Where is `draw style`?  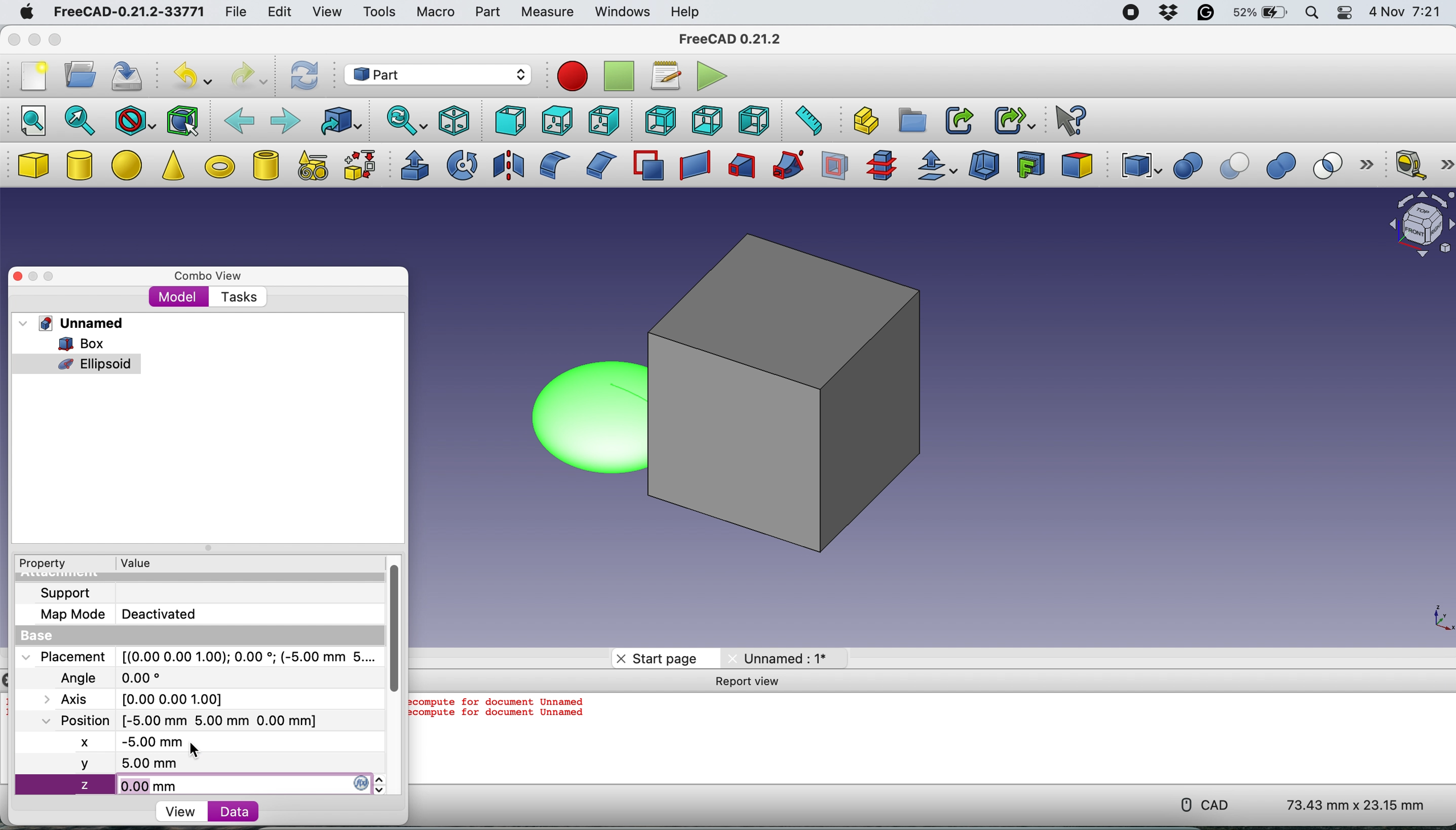
draw style is located at coordinates (134, 121).